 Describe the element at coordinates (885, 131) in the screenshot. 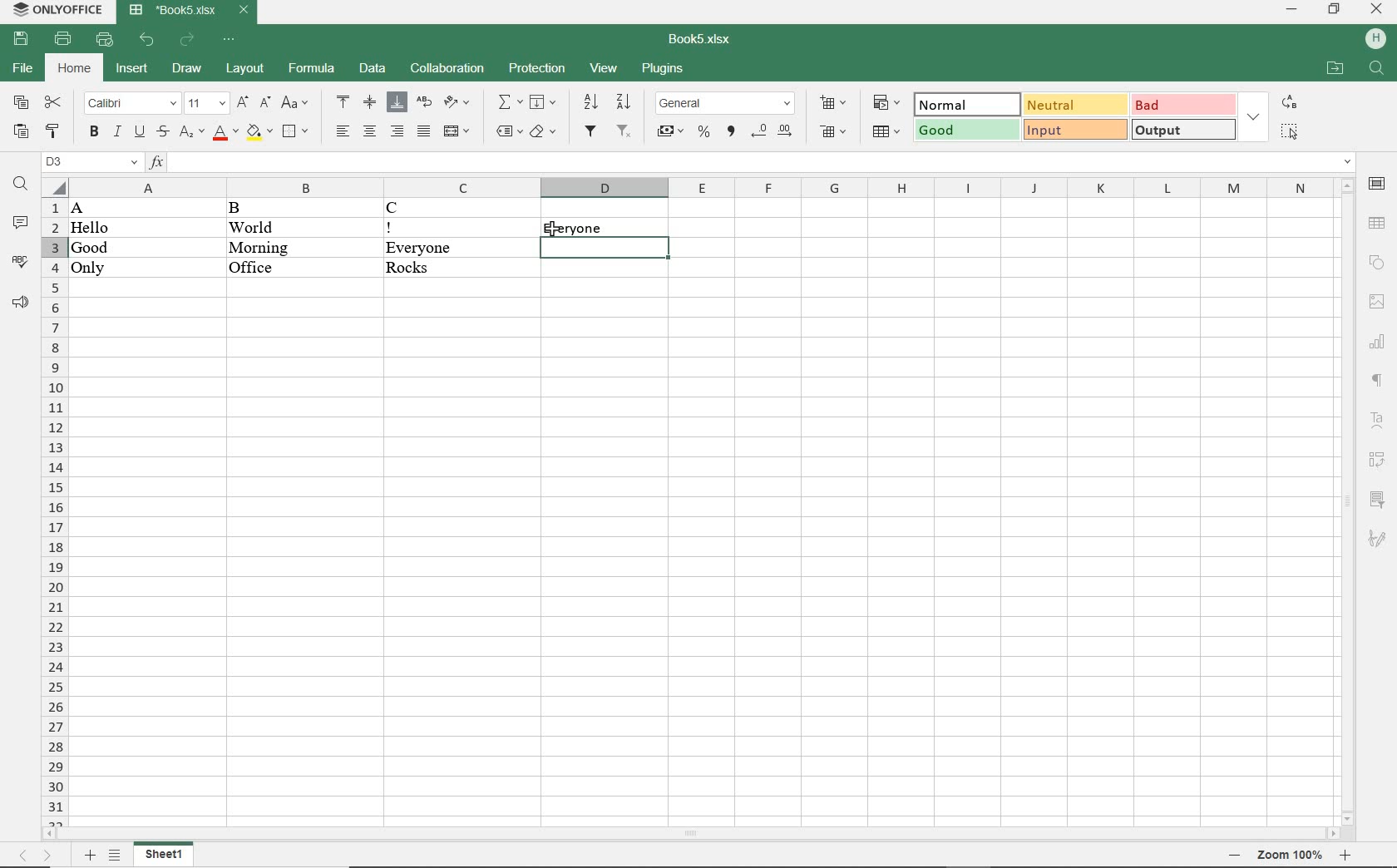

I see `format as table` at that location.